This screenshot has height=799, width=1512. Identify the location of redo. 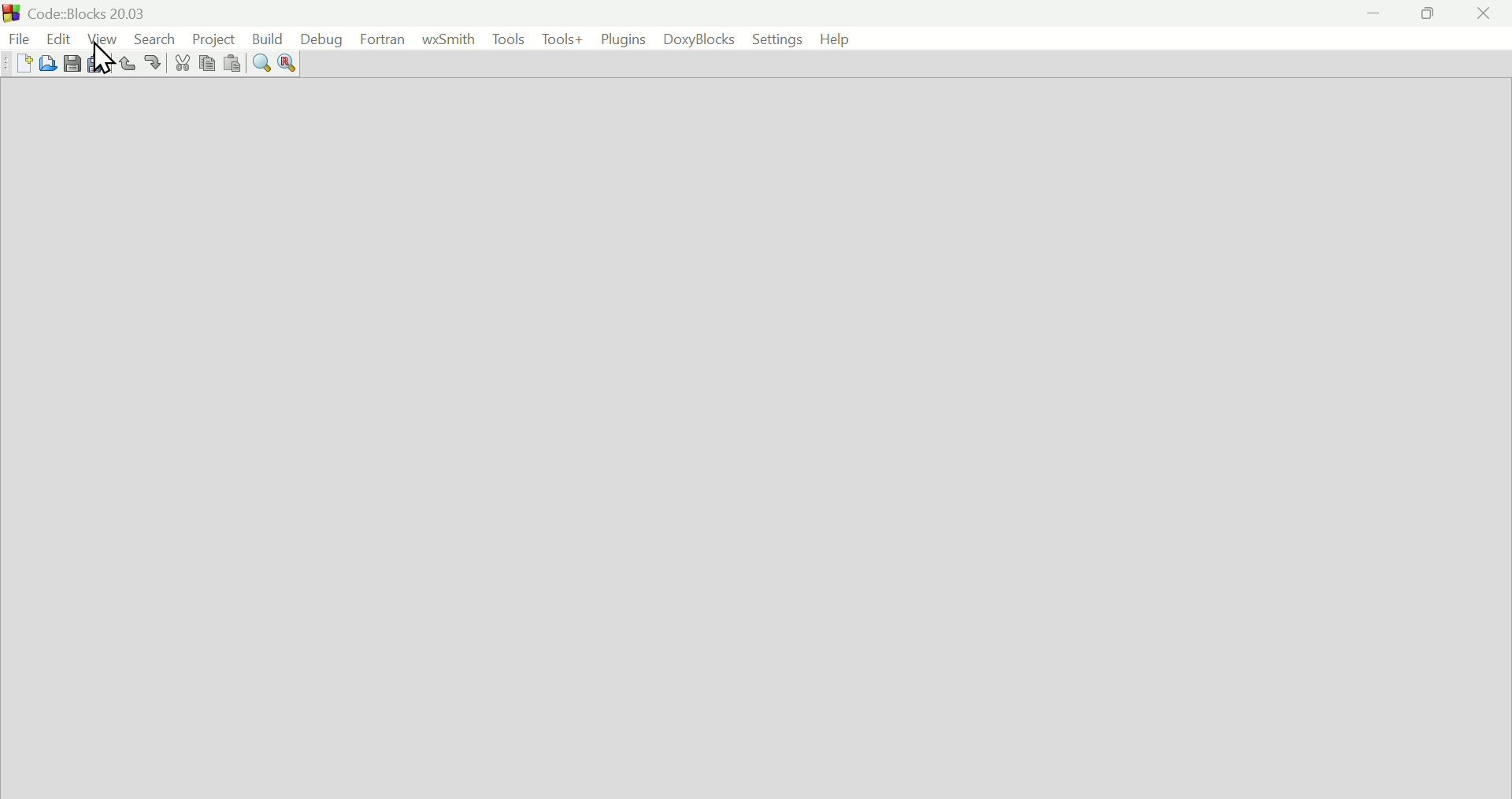
(154, 64).